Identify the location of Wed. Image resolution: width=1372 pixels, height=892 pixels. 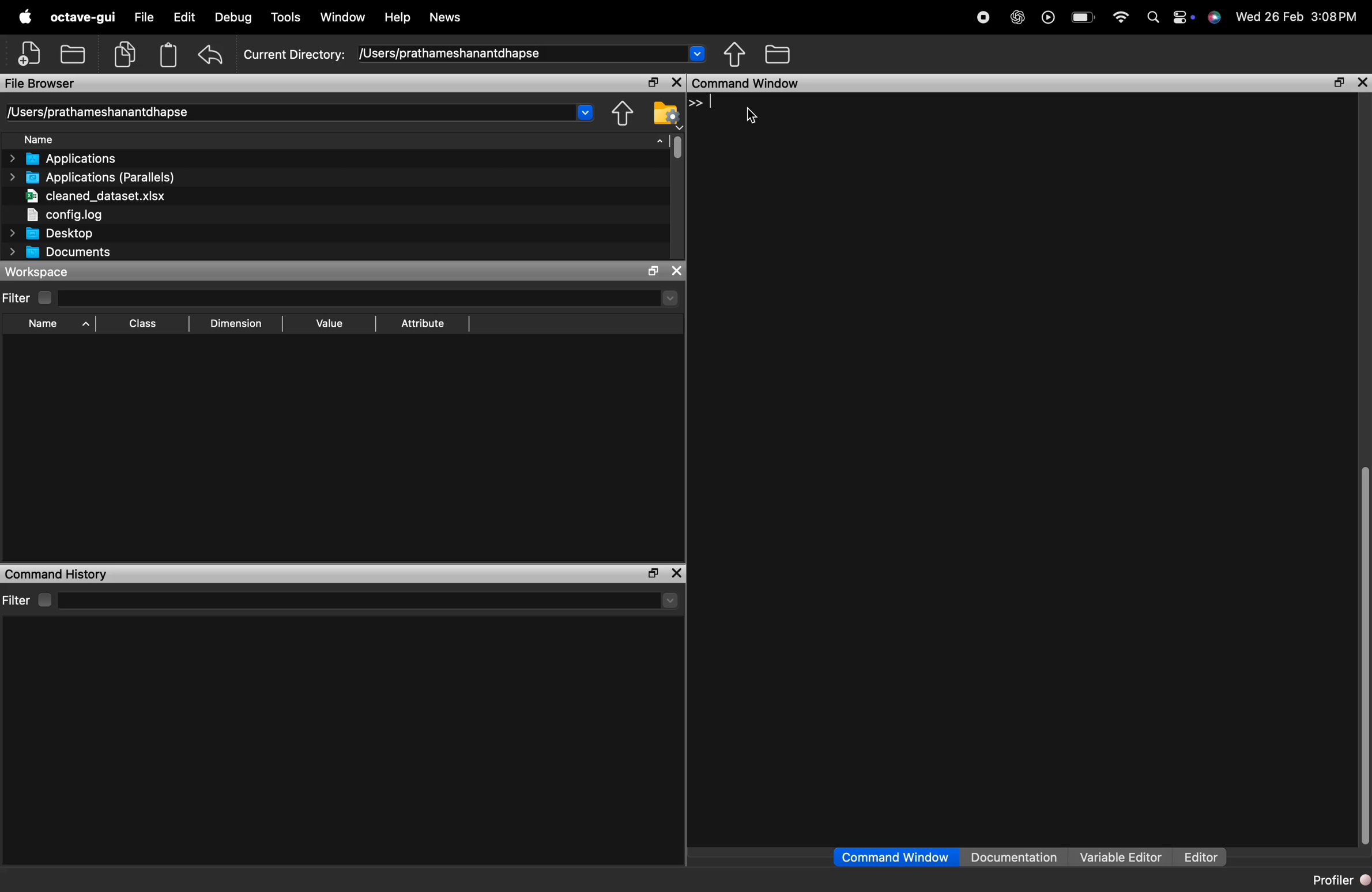
(1245, 16).